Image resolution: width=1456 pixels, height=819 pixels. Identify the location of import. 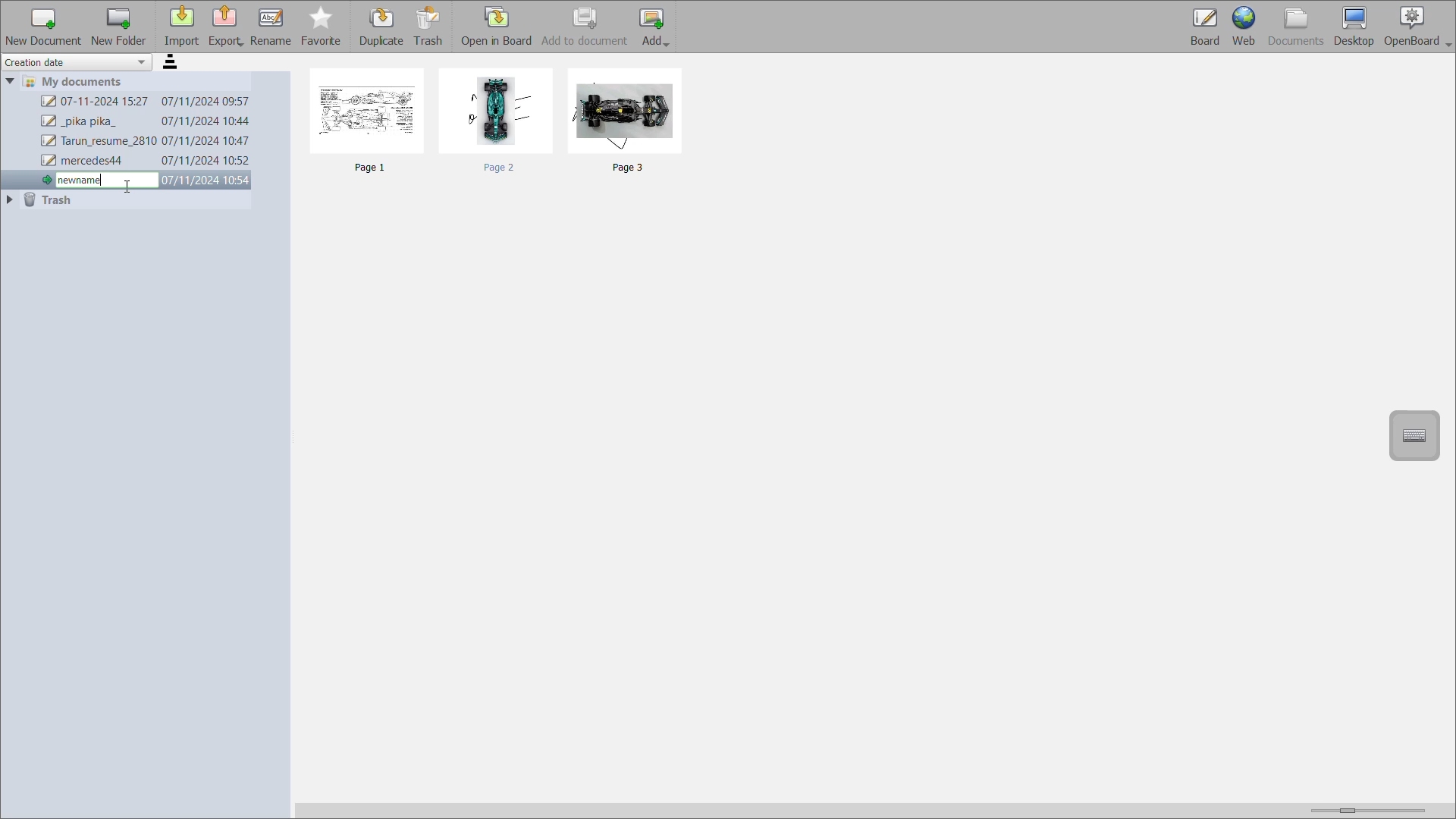
(181, 27).